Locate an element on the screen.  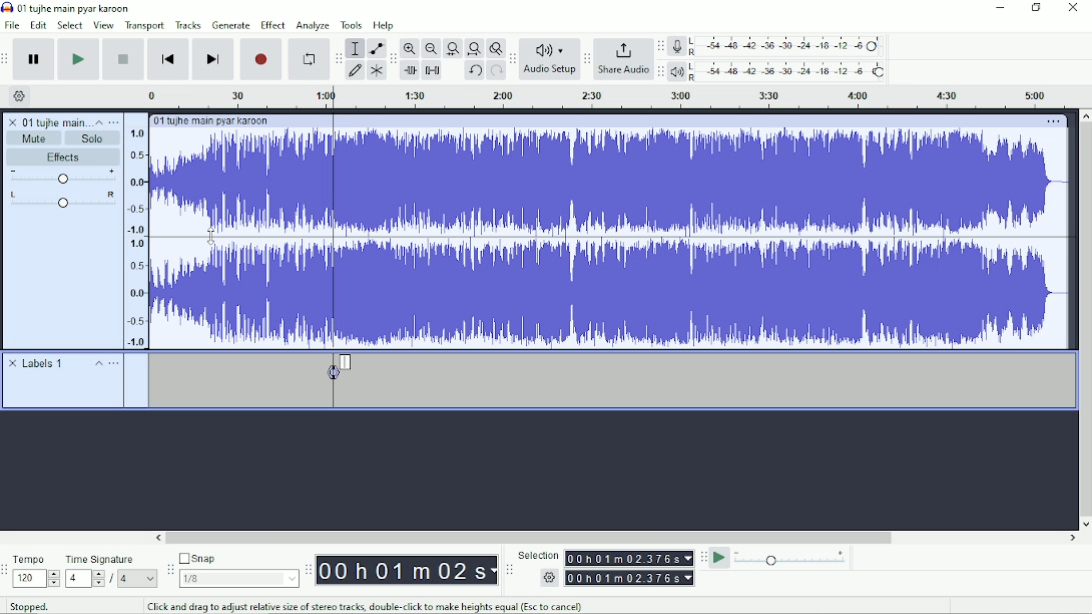
Restore down is located at coordinates (1037, 9).